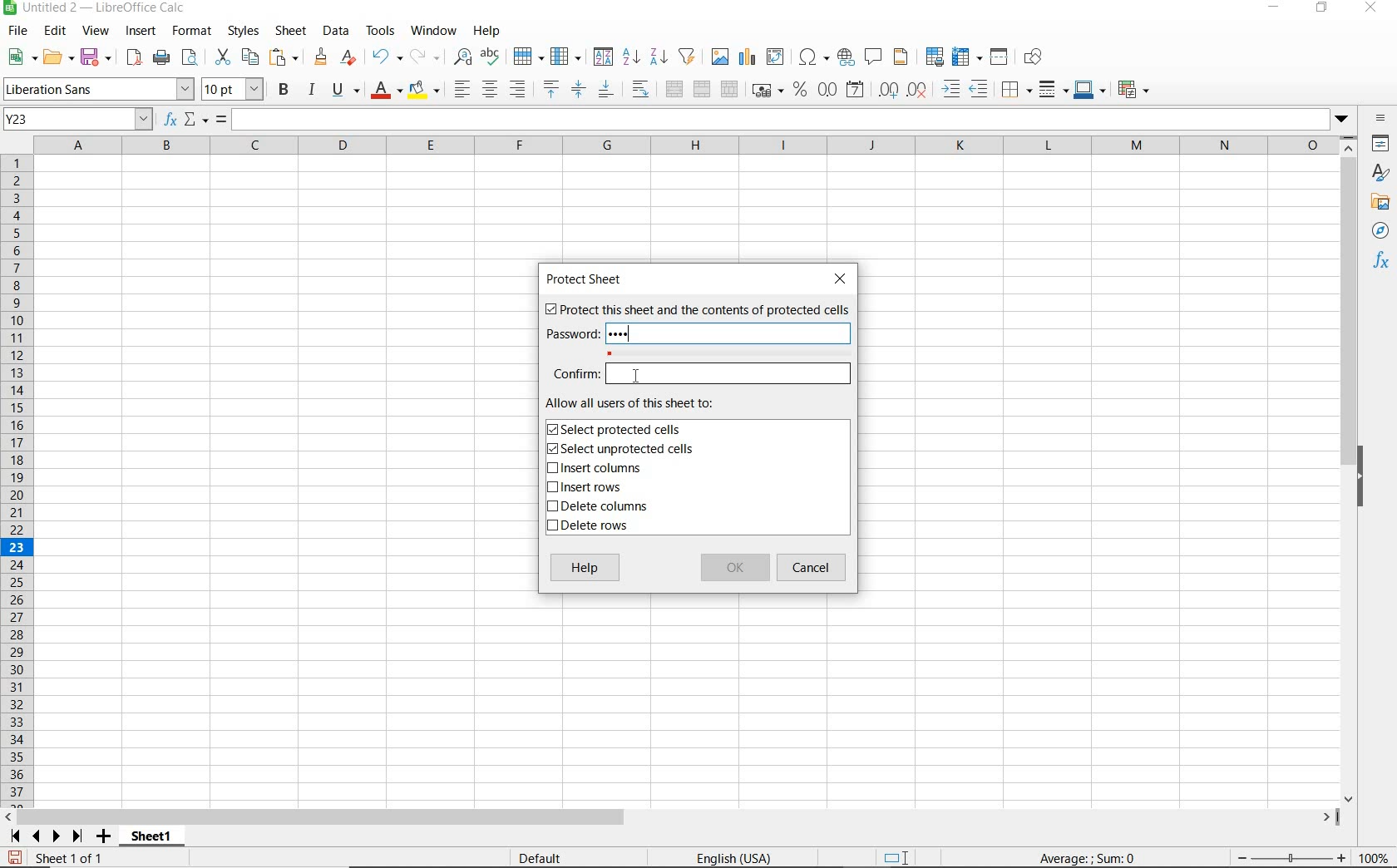 Image resolution: width=1397 pixels, height=868 pixels. What do you see at coordinates (969, 56) in the screenshot?
I see `FREEZE ROWS AND COLUMNS` at bounding box center [969, 56].